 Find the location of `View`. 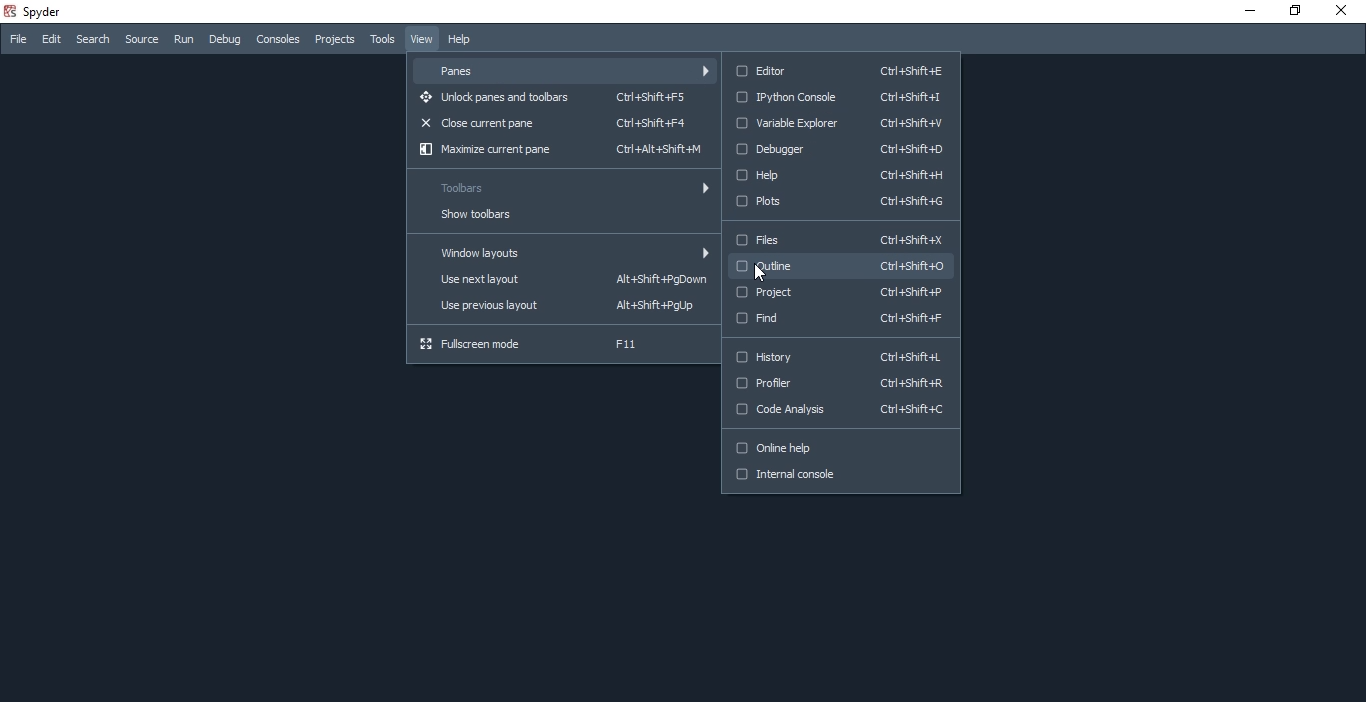

View is located at coordinates (420, 38).